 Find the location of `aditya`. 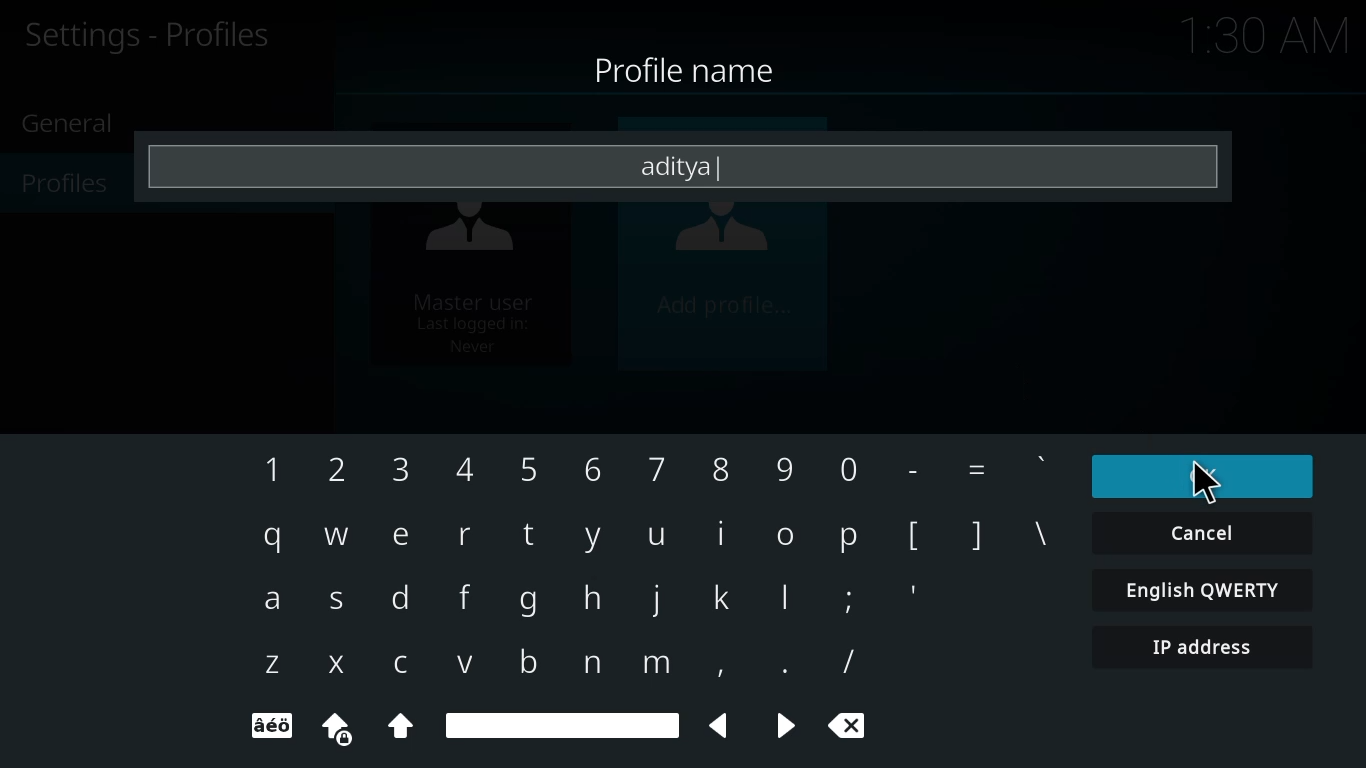

aditya is located at coordinates (684, 166).